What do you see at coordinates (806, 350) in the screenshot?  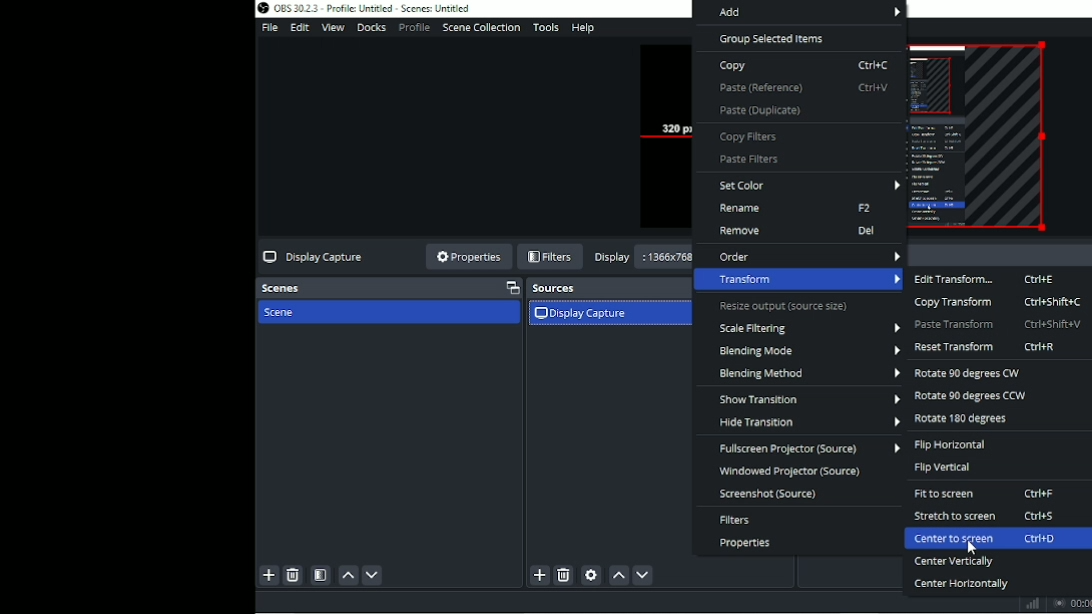 I see `Blending mode` at bounding box center [806, 350].